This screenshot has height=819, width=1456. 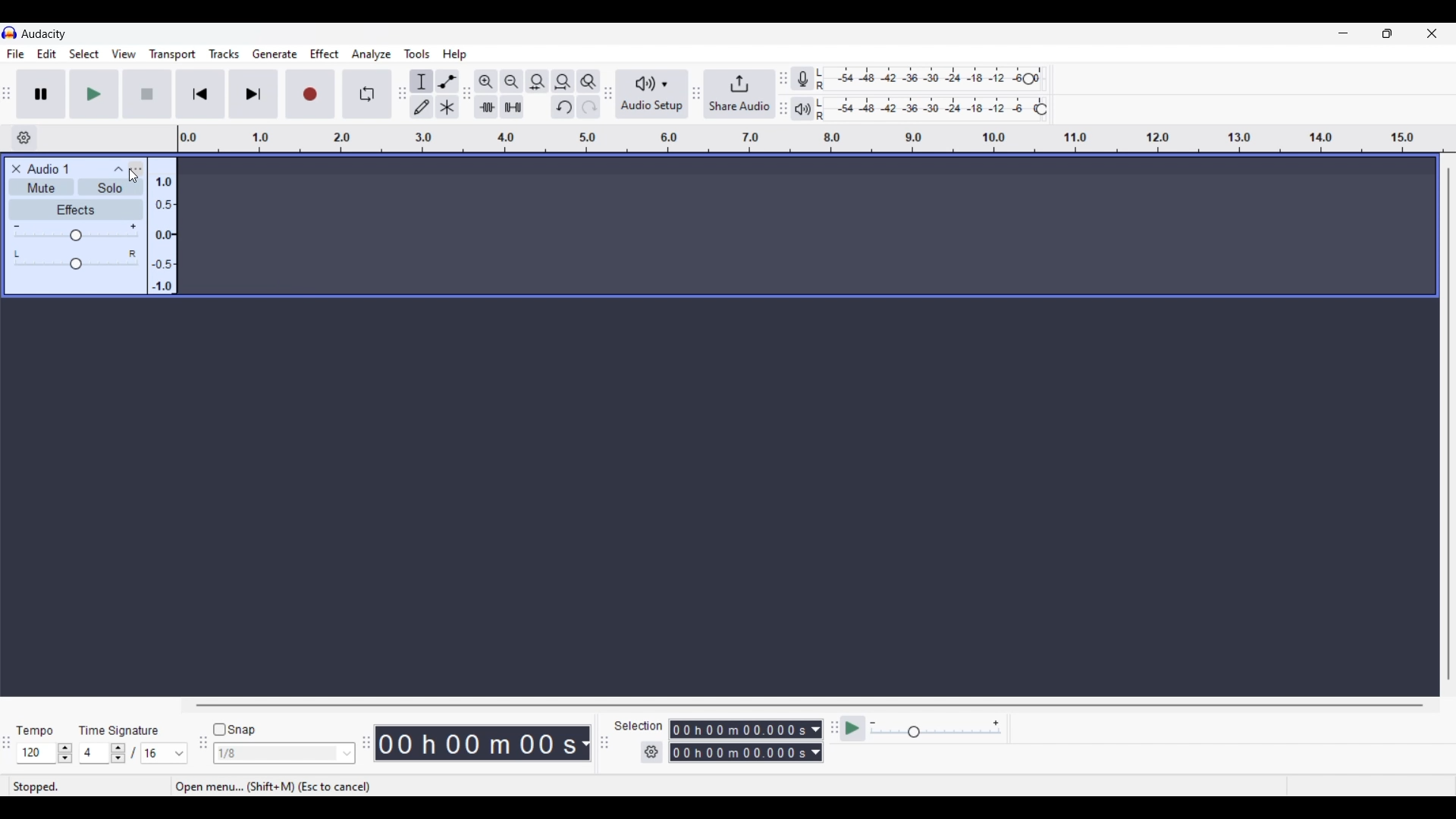 What do you see at coordinates (162, 231) in the screenshot?
I see `Scale` at bounding box center [162, 231].